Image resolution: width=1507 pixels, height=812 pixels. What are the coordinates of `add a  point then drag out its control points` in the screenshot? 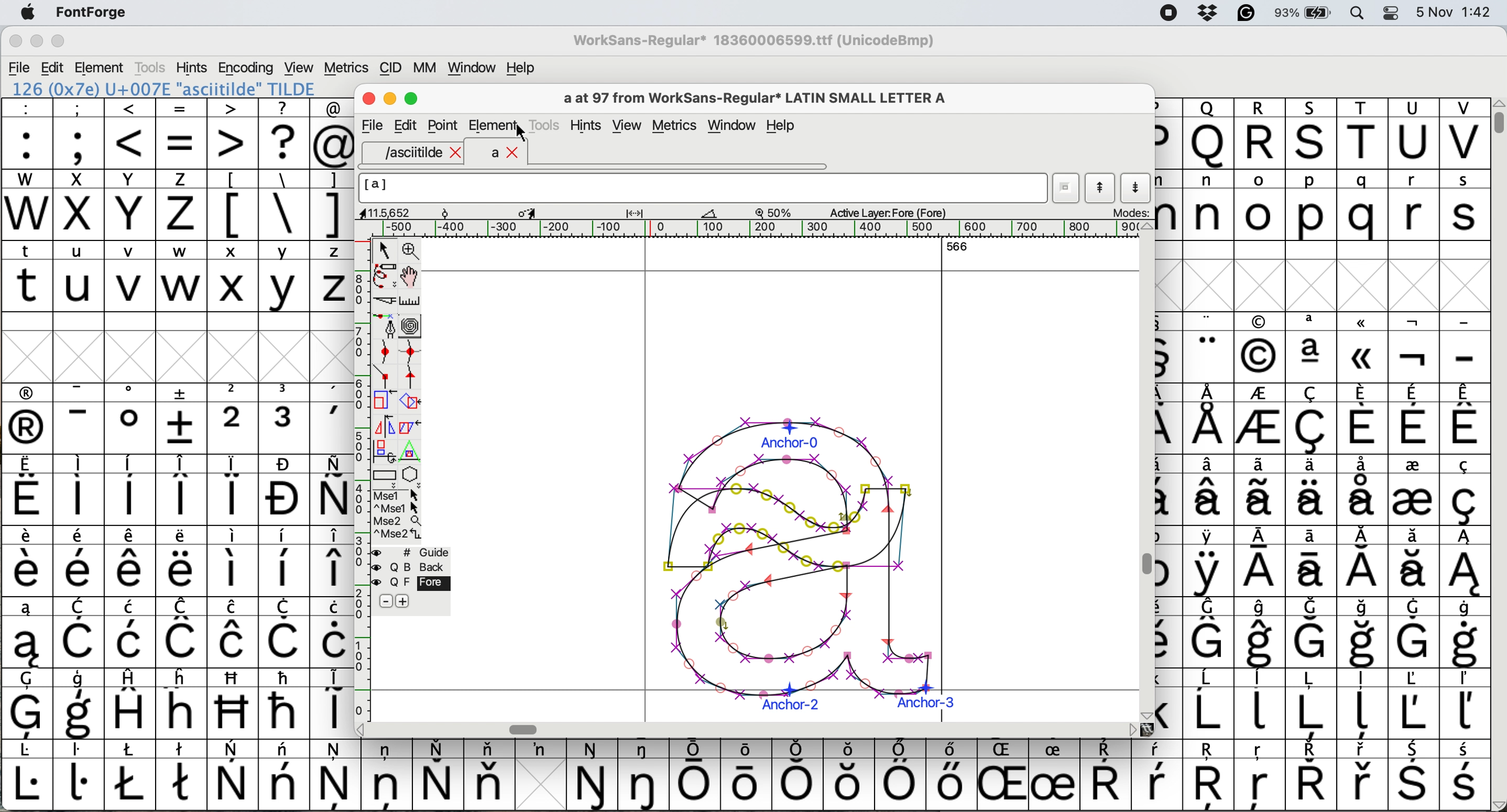 It's located at (386, 325).